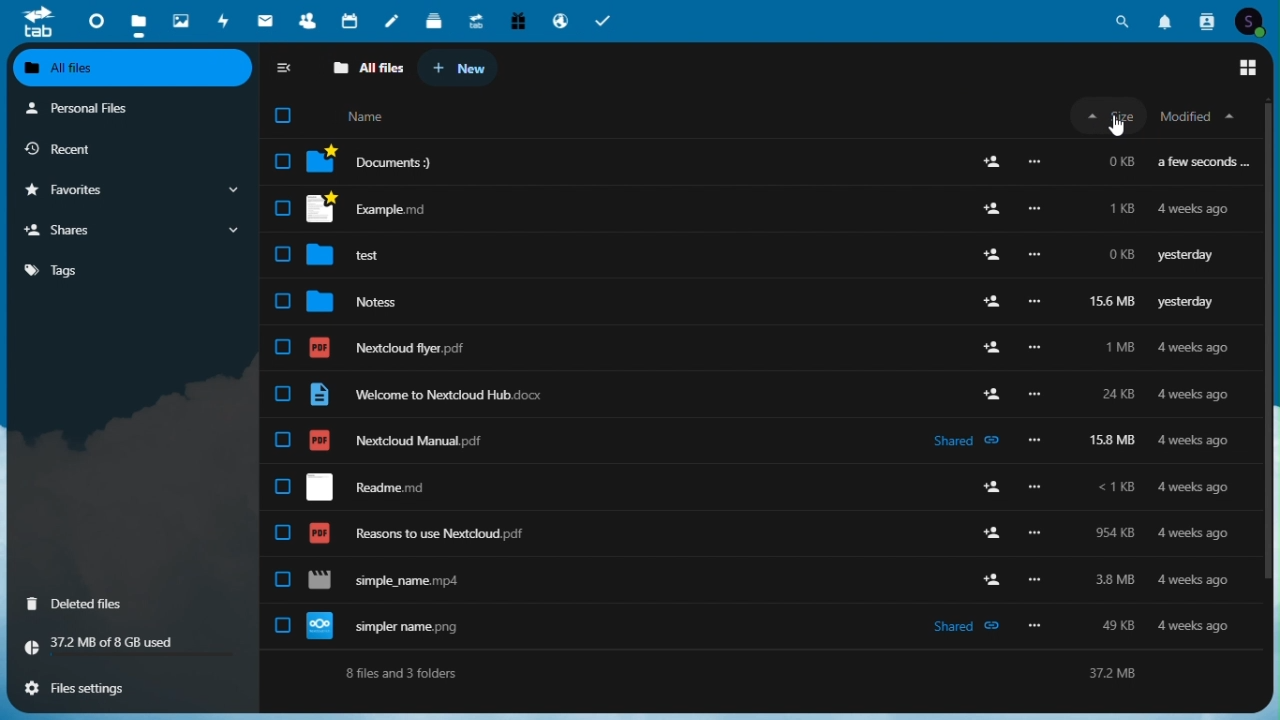  Describe the element at coordinates (1167, 19) in the screenshot. I see `Notifications` at that location.